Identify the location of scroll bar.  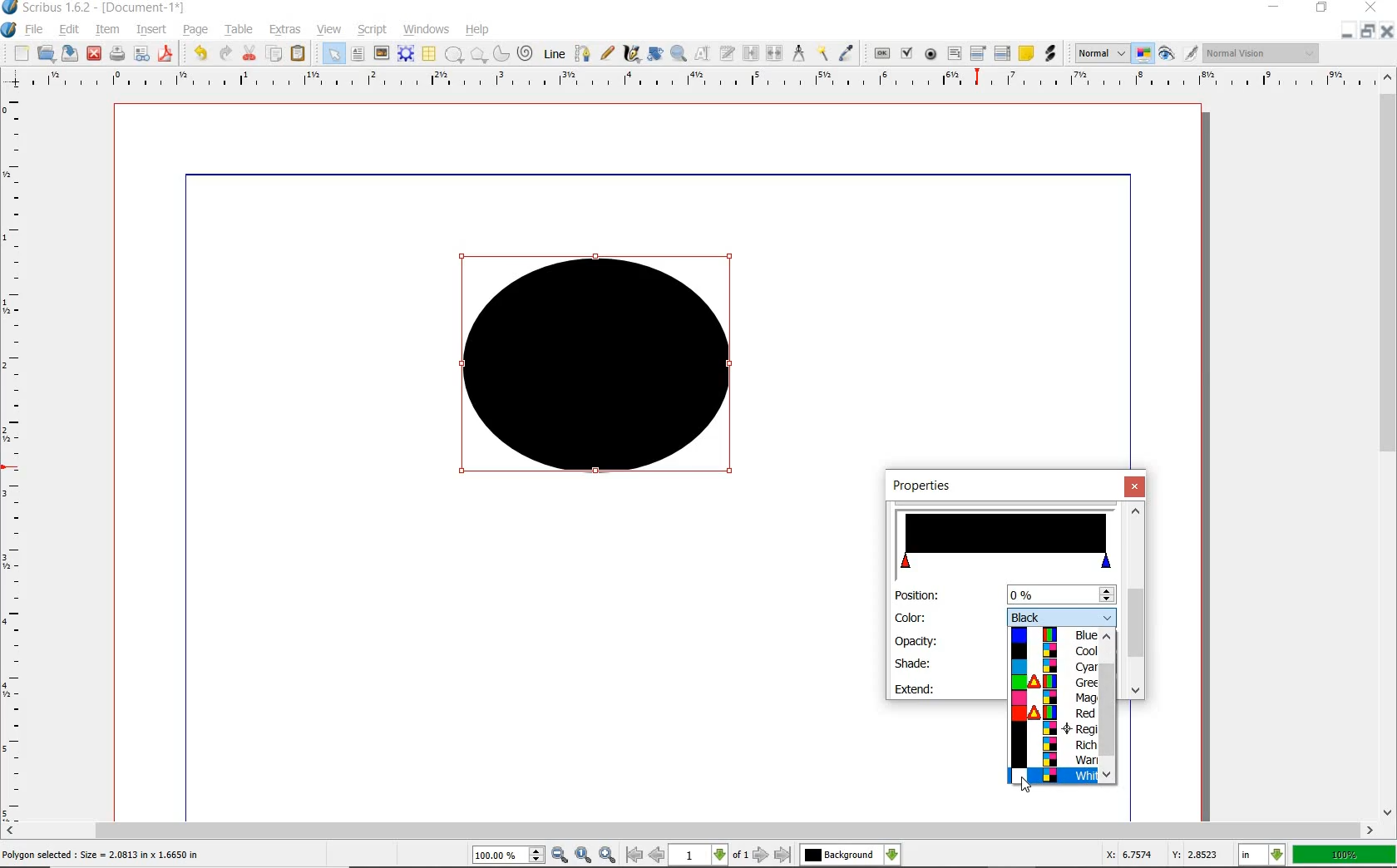
(1134, 623).